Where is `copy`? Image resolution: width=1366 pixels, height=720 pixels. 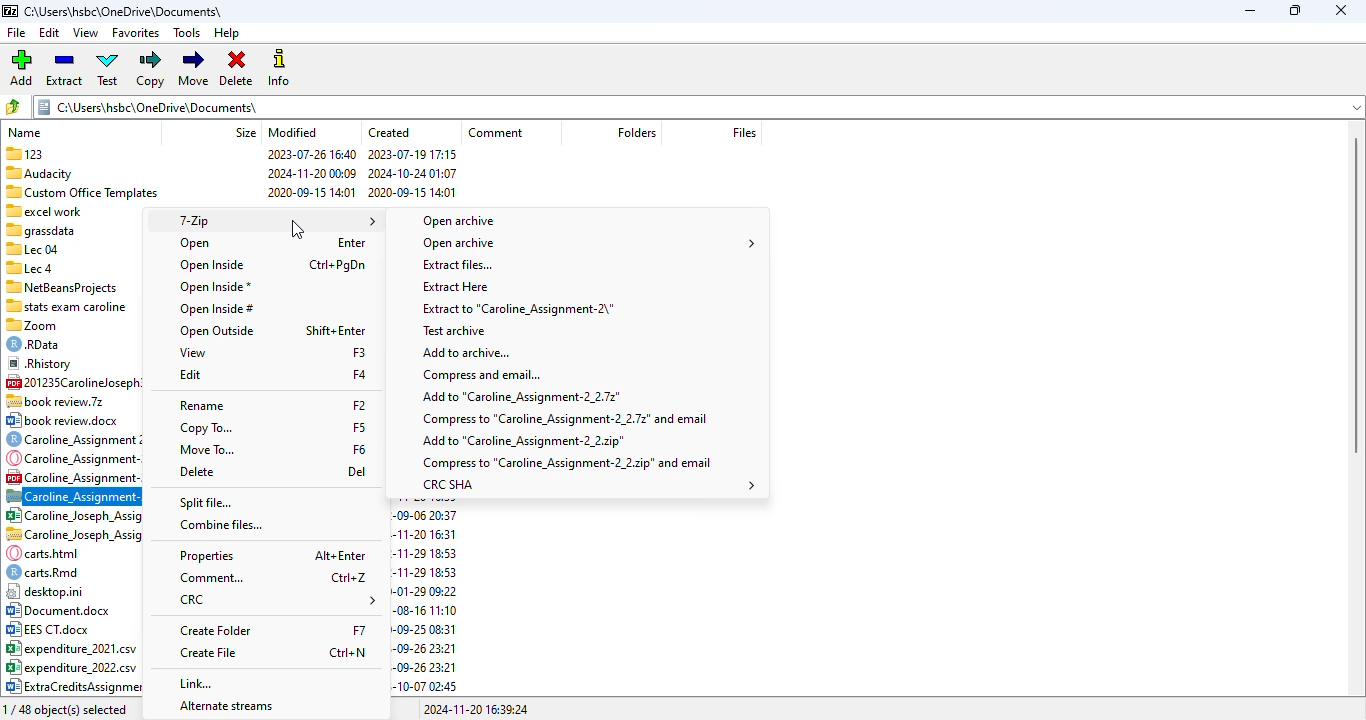
copy is located at coordinates (150, 69).